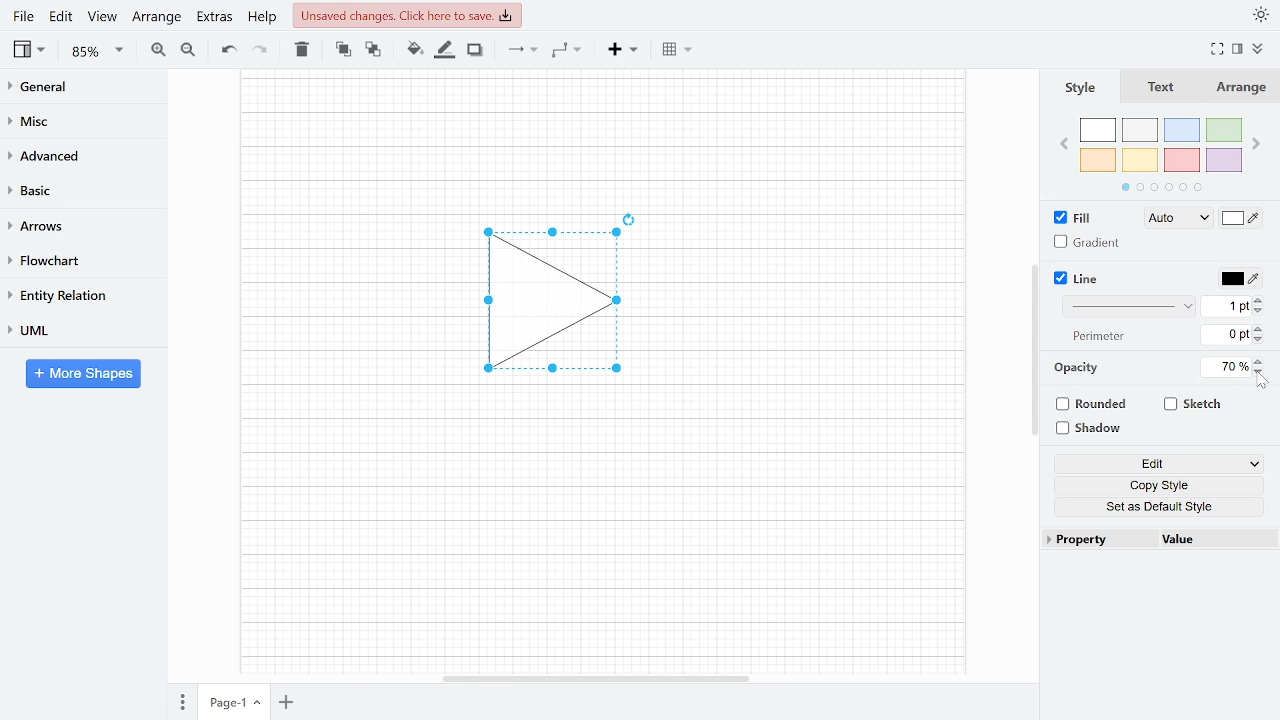  Describe the element at coordinates (598, 678) in the screenshot. I see `Horizontal scrollbar` at that location.